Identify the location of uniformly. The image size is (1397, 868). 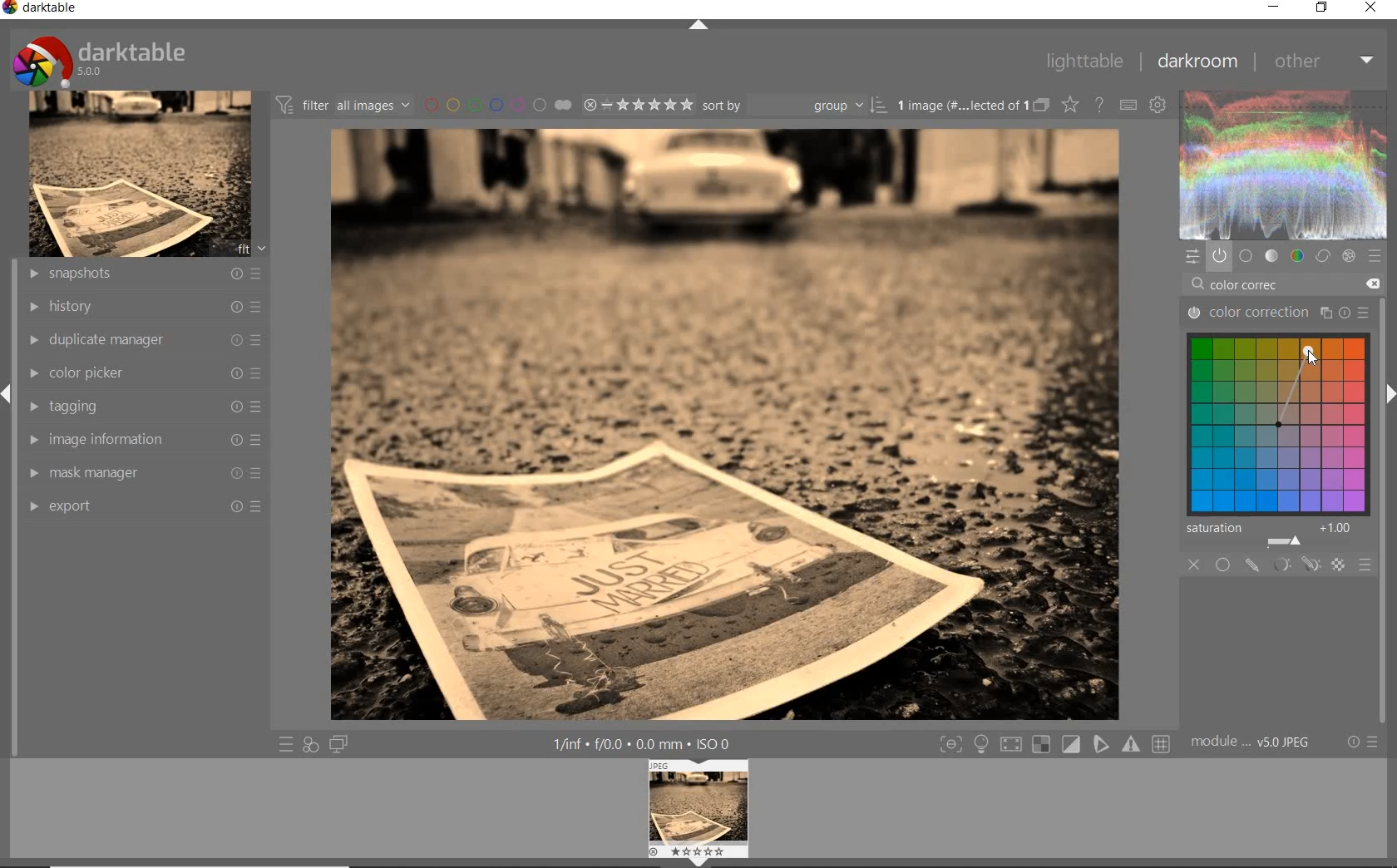
(1222, 565).